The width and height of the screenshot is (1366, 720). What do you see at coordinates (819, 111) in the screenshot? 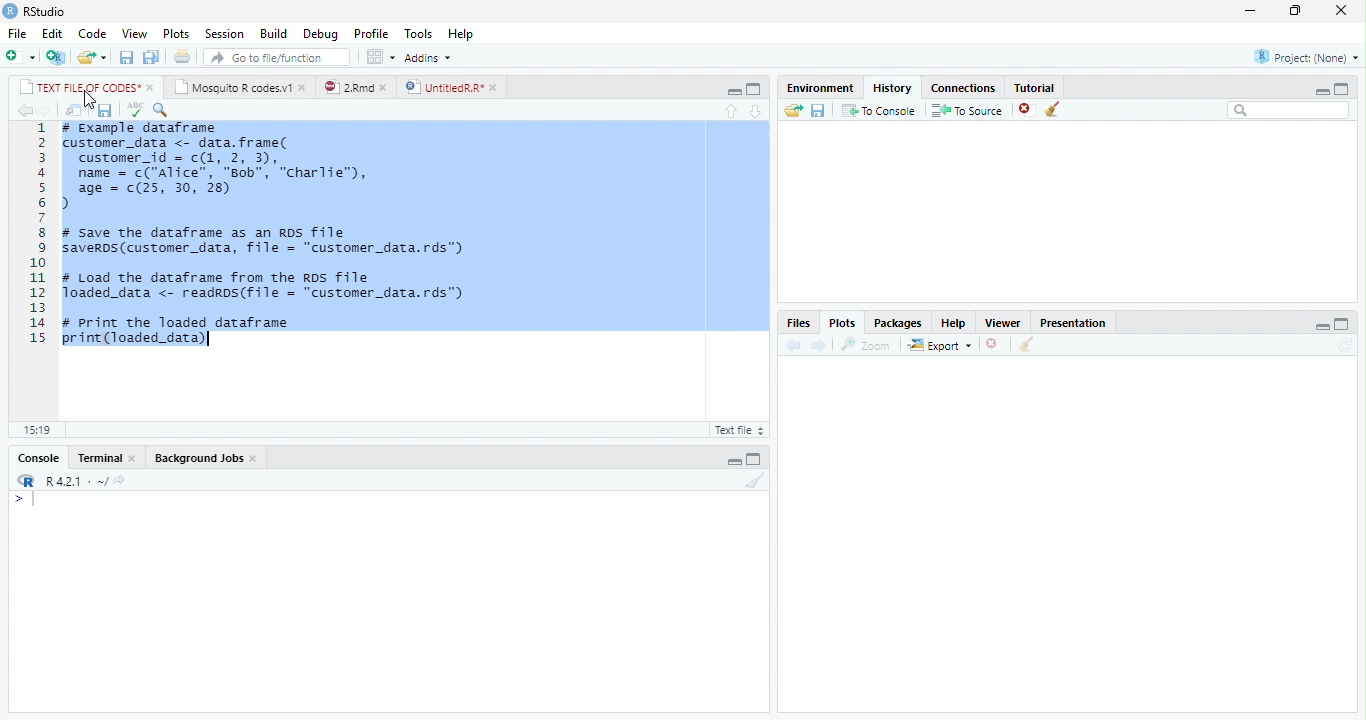
I see `save` at bounding box center [819, 111].